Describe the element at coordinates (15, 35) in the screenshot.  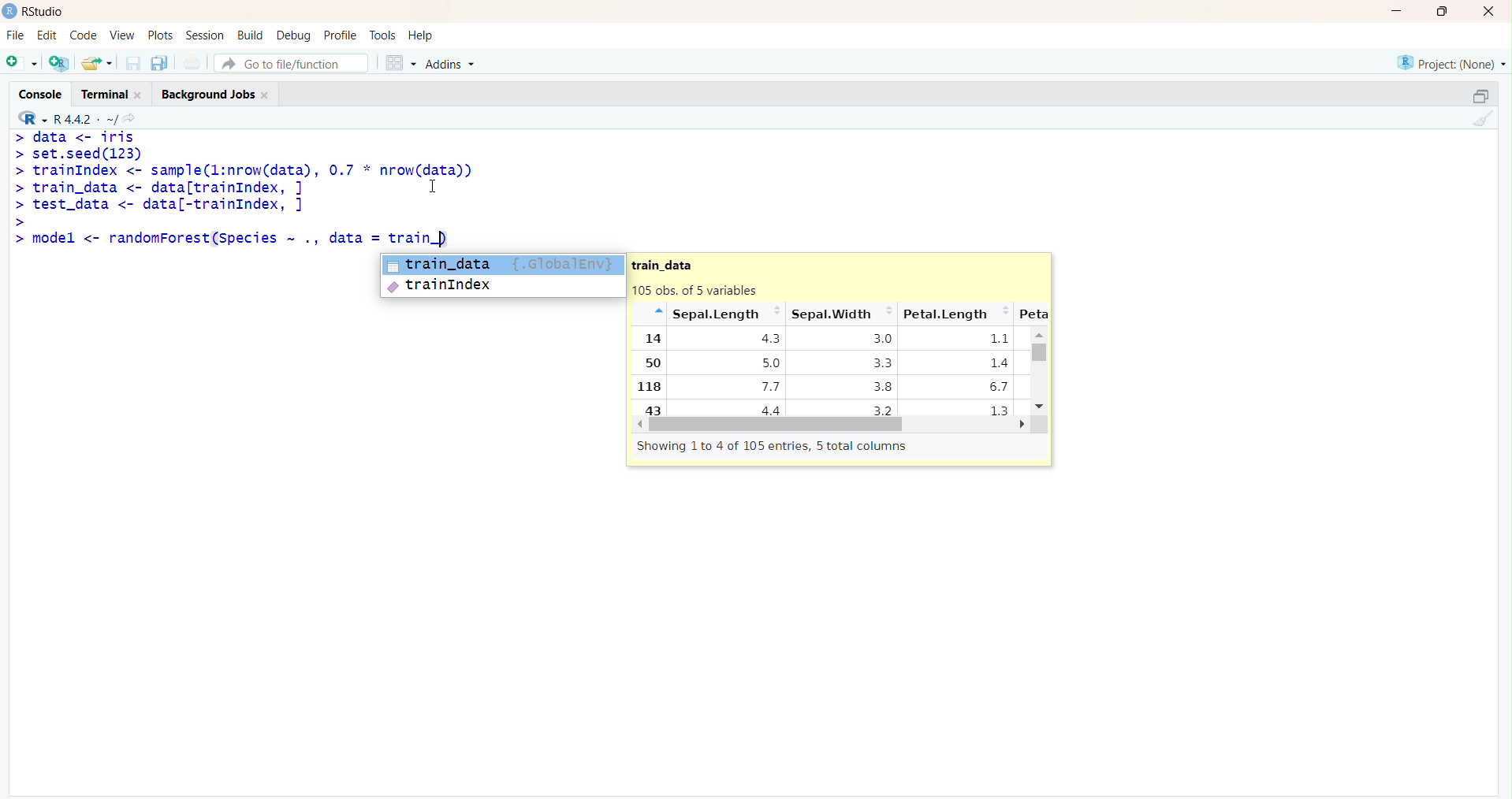
I see `File` at that location.